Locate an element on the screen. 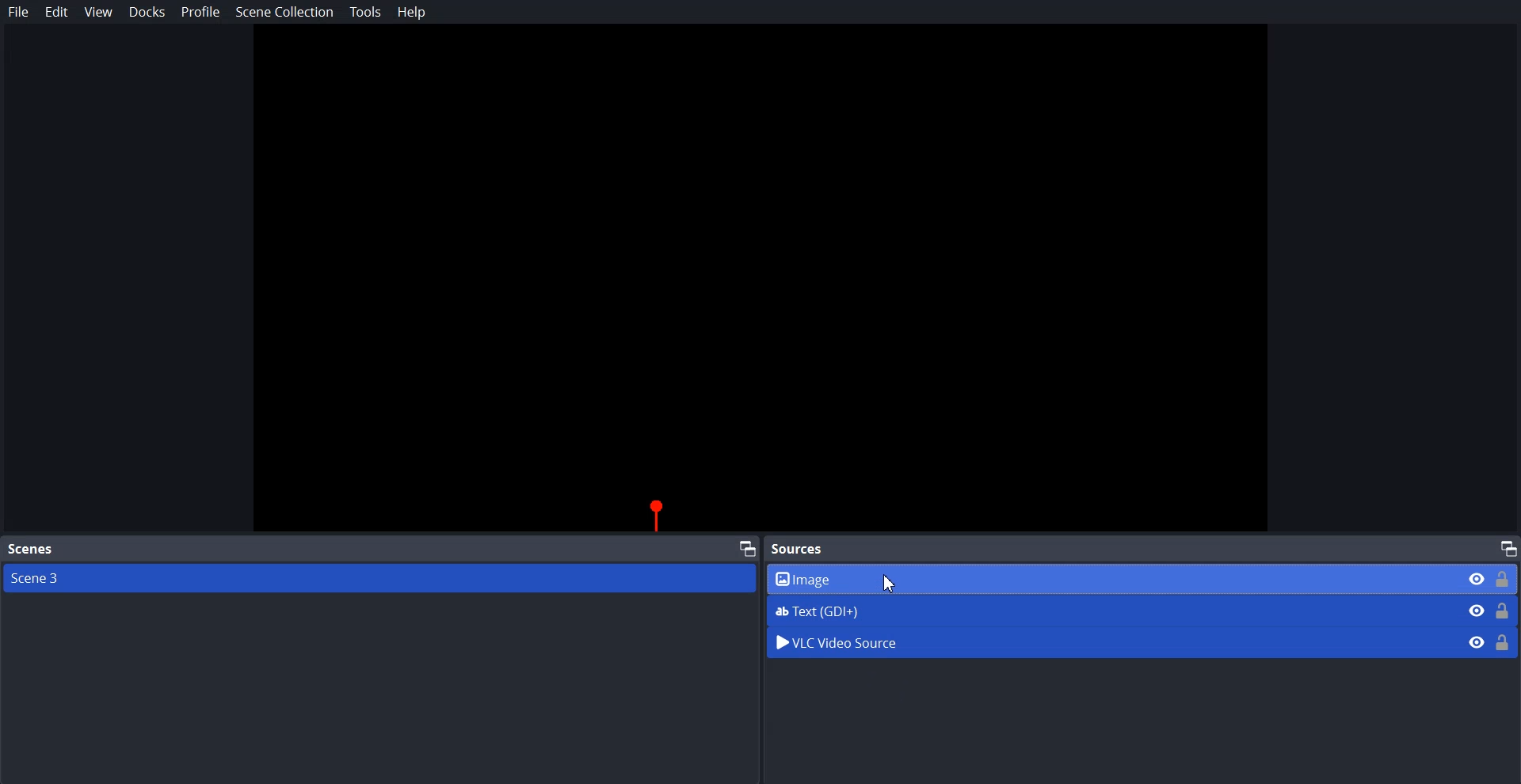 Image resolution: width=1521 pixels, height=784 pixels. Edit is located at coordinates (57, 12).